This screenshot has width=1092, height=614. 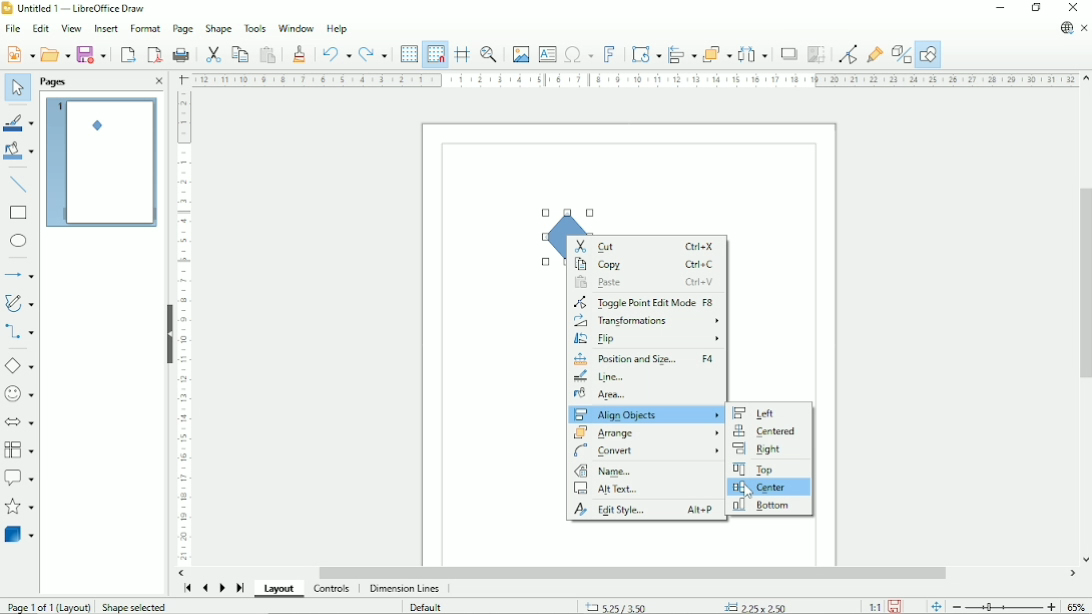 What do you see at coordinates (409, 54) in the screenshot?
I see `Display grid` at bounding box center [409, 54].